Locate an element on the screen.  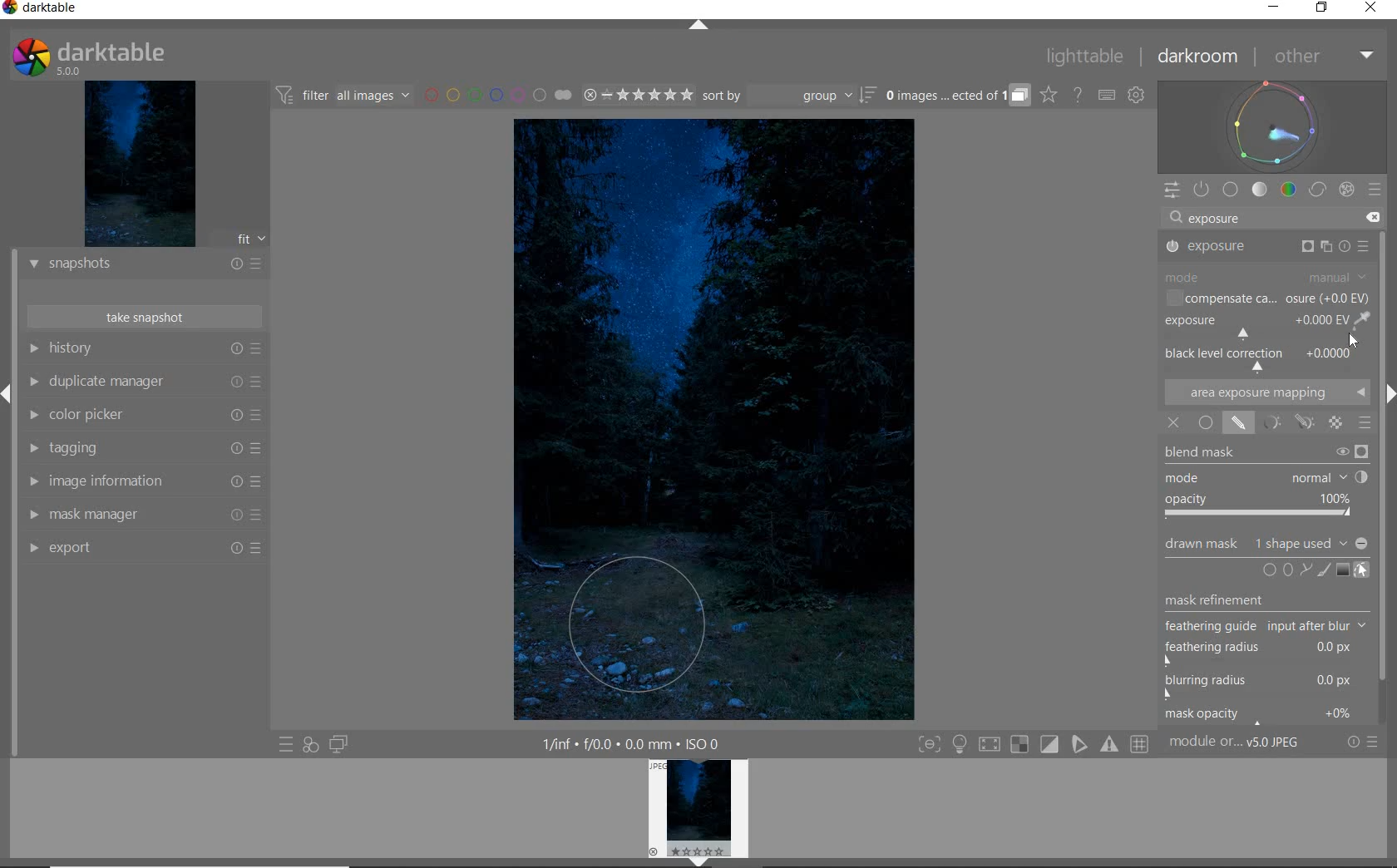
TAGGING is located at coordinates (142, 448).